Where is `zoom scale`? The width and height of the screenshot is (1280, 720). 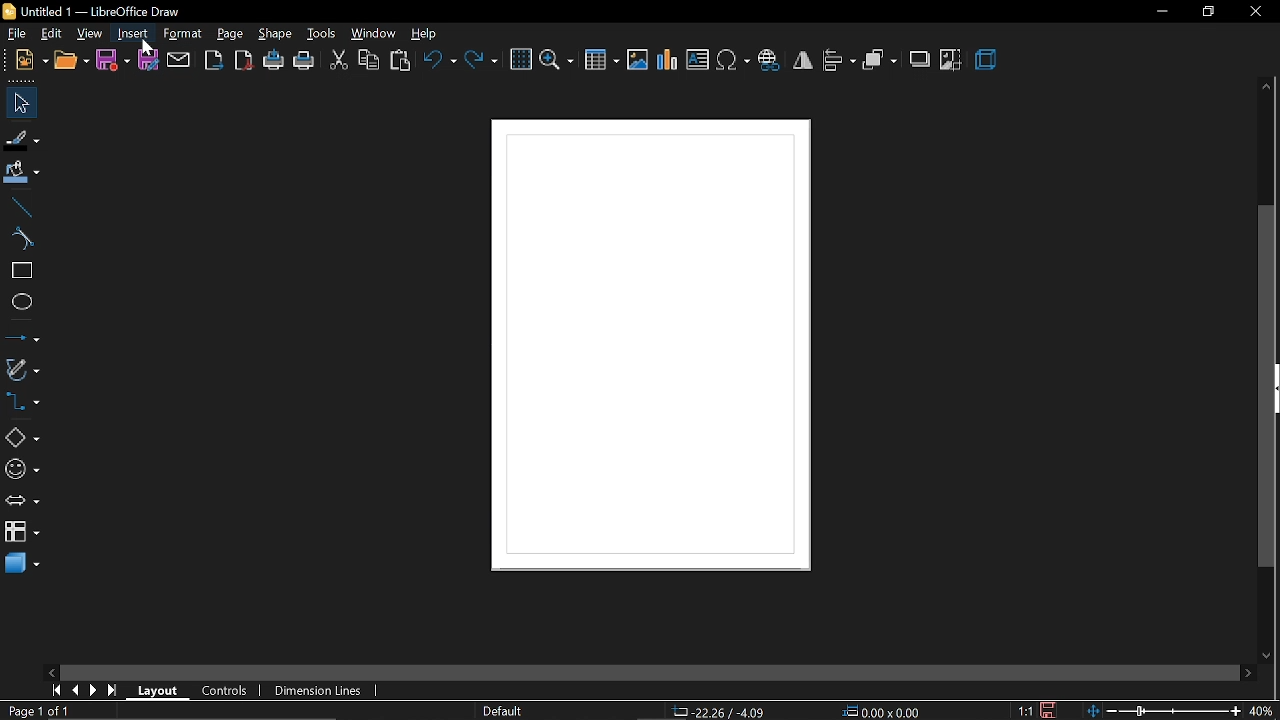 zoom scale is located at coordinates (1163, 711).